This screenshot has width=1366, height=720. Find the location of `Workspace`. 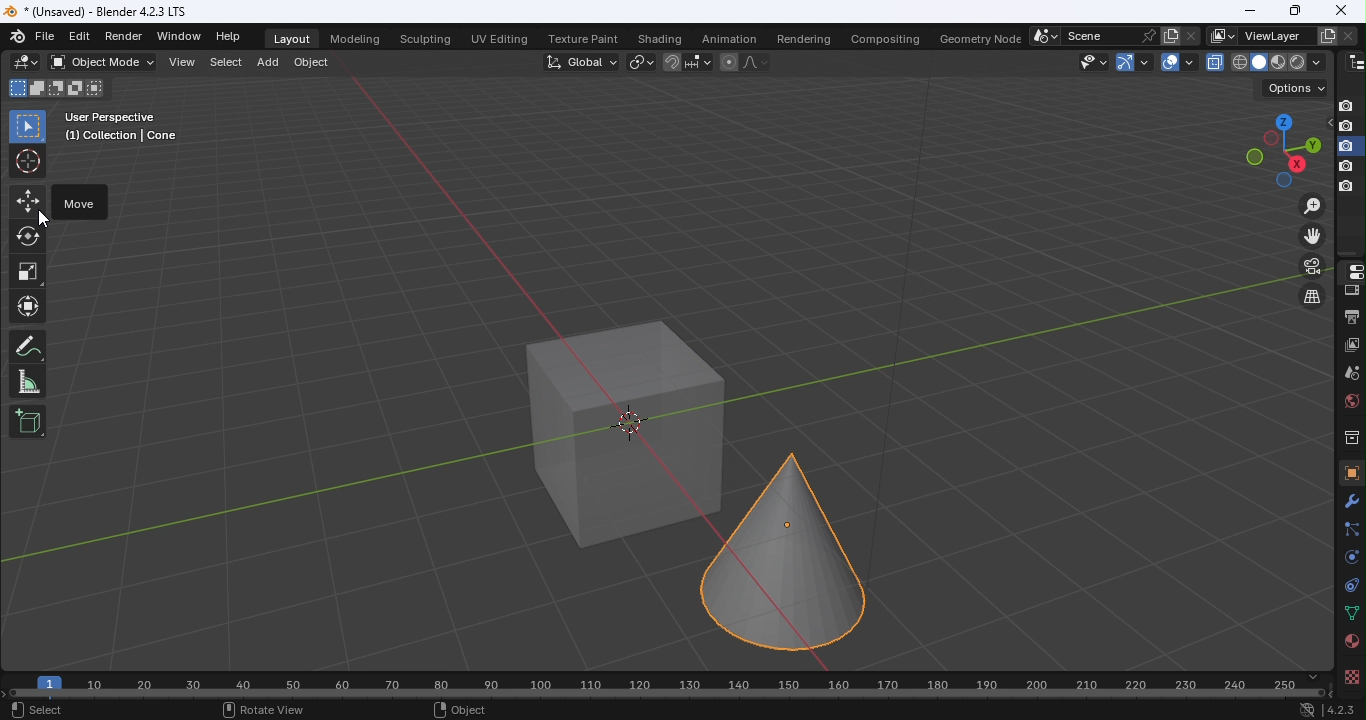

Workspace is located at coordinates (647, 389).